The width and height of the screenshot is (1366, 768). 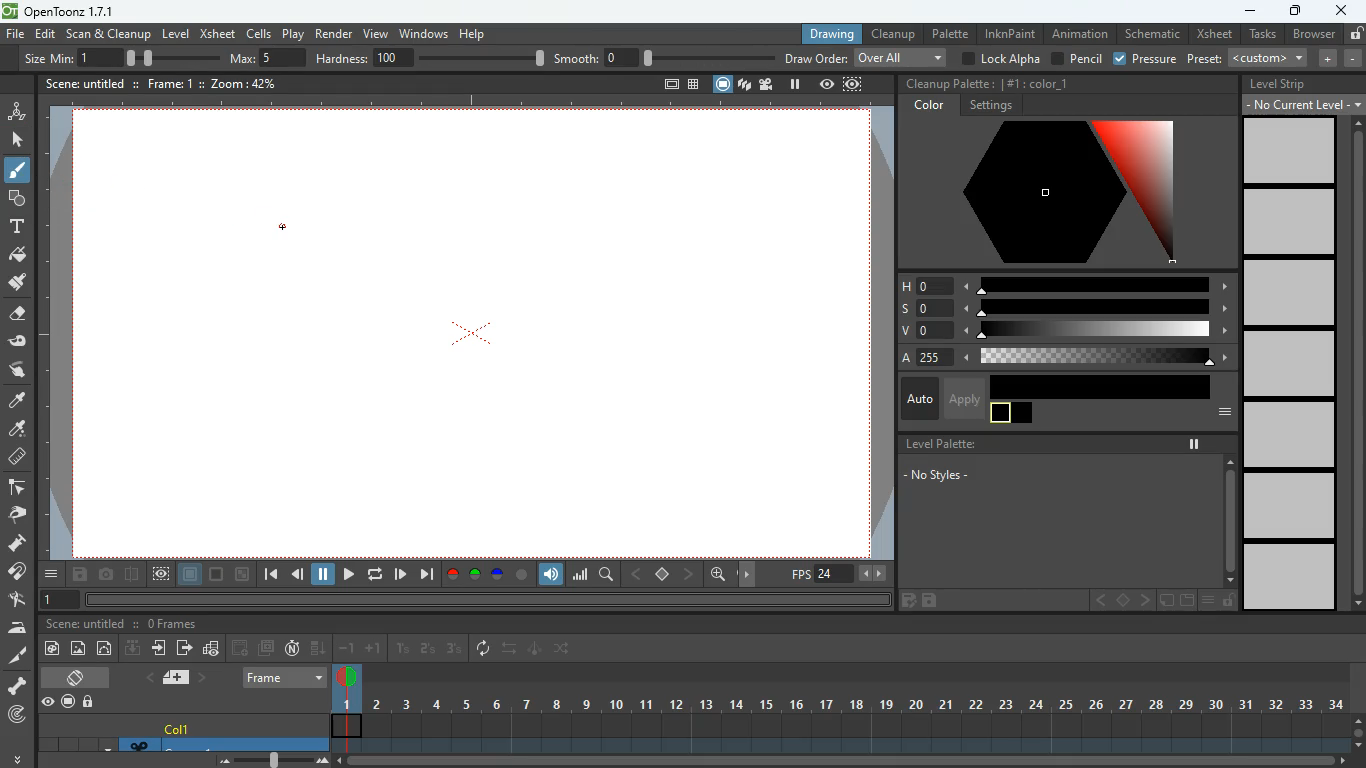 What do you see at coordinates (1358, 730) in the screenshot?
I see `scroll` at bounding box center [1358, 730].